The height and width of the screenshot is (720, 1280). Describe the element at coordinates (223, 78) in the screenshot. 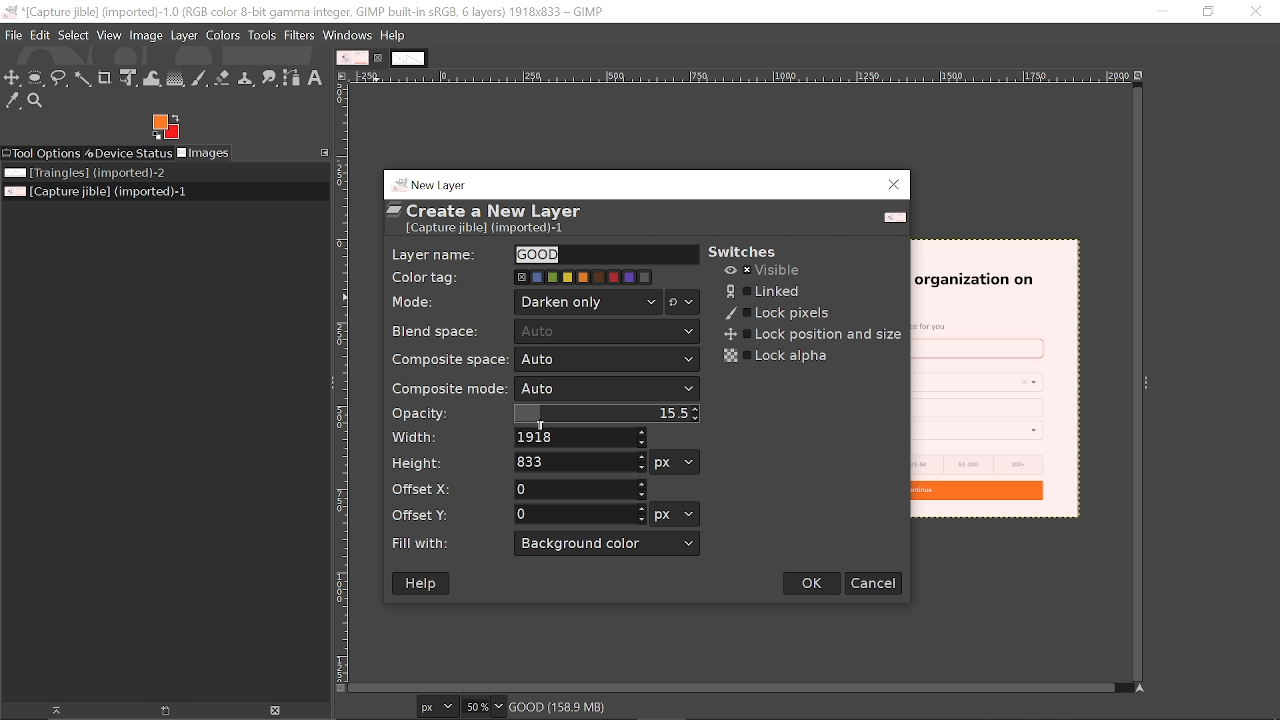

I see `Eraser tool` at that location.